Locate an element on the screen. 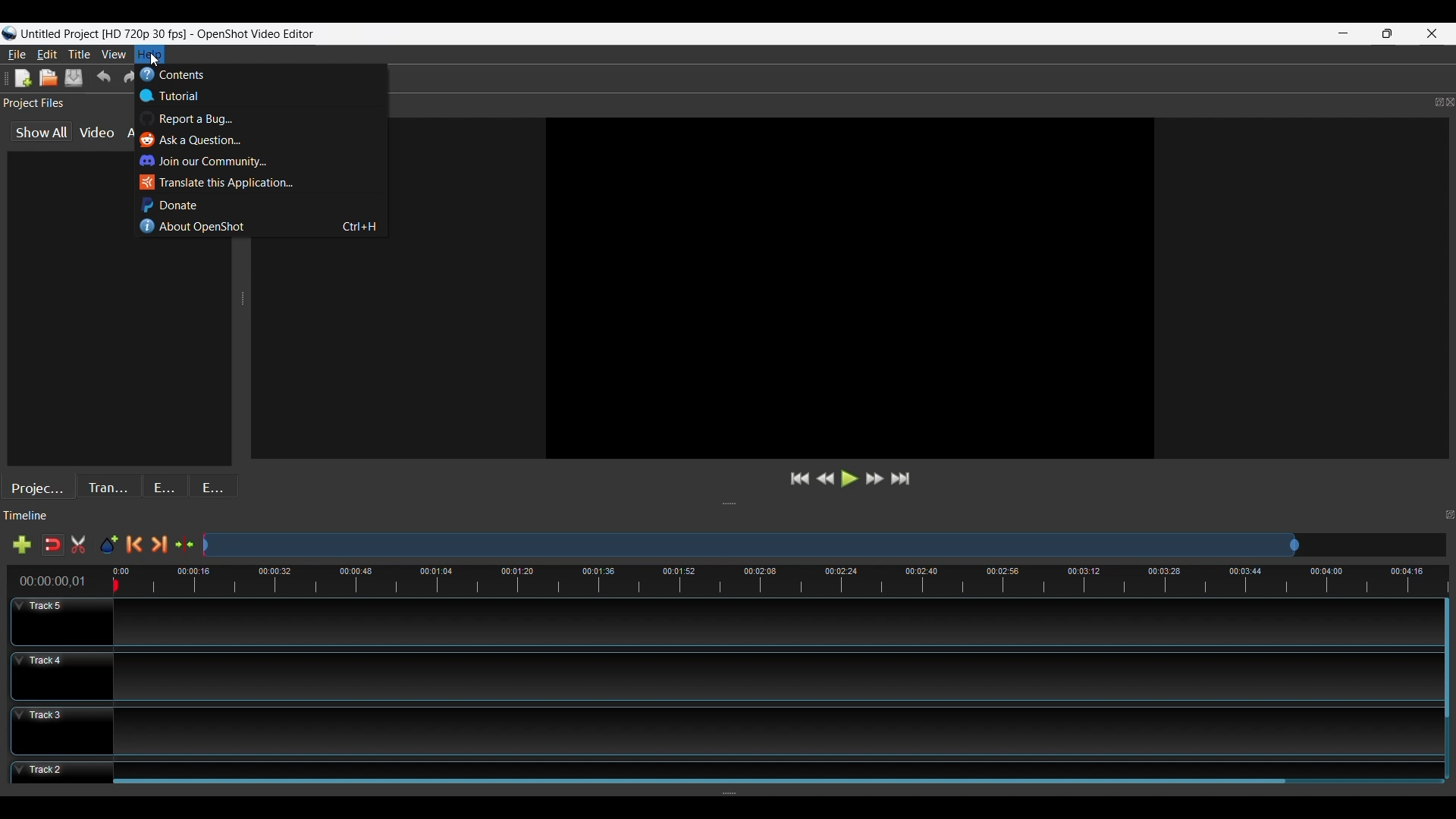 The height and width of the screenshot is (819, 1456). minimize is located at coordinates (1343, 33).